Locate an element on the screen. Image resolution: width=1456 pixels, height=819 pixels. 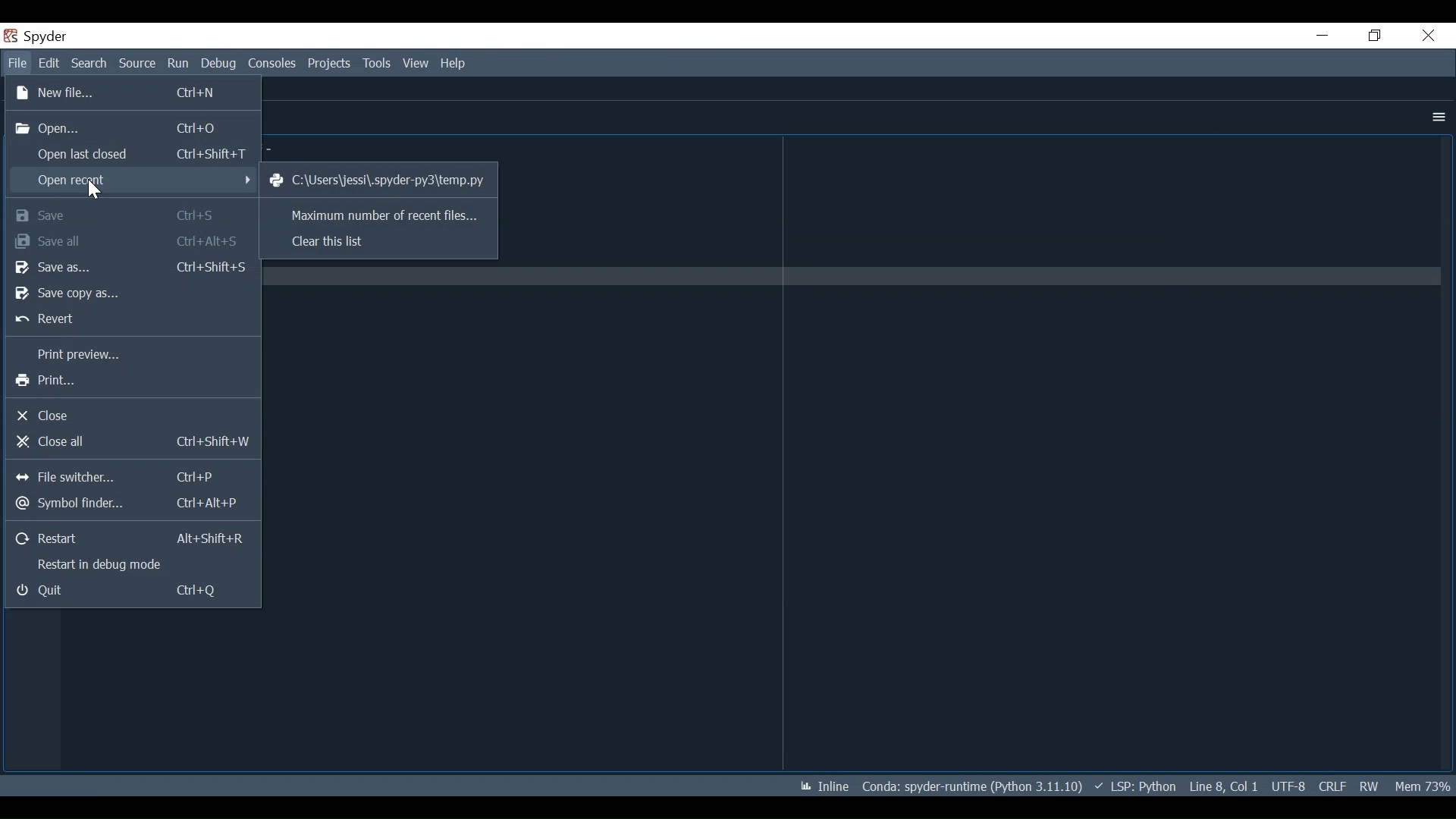
More Options is located at coordinates (1437, 119).